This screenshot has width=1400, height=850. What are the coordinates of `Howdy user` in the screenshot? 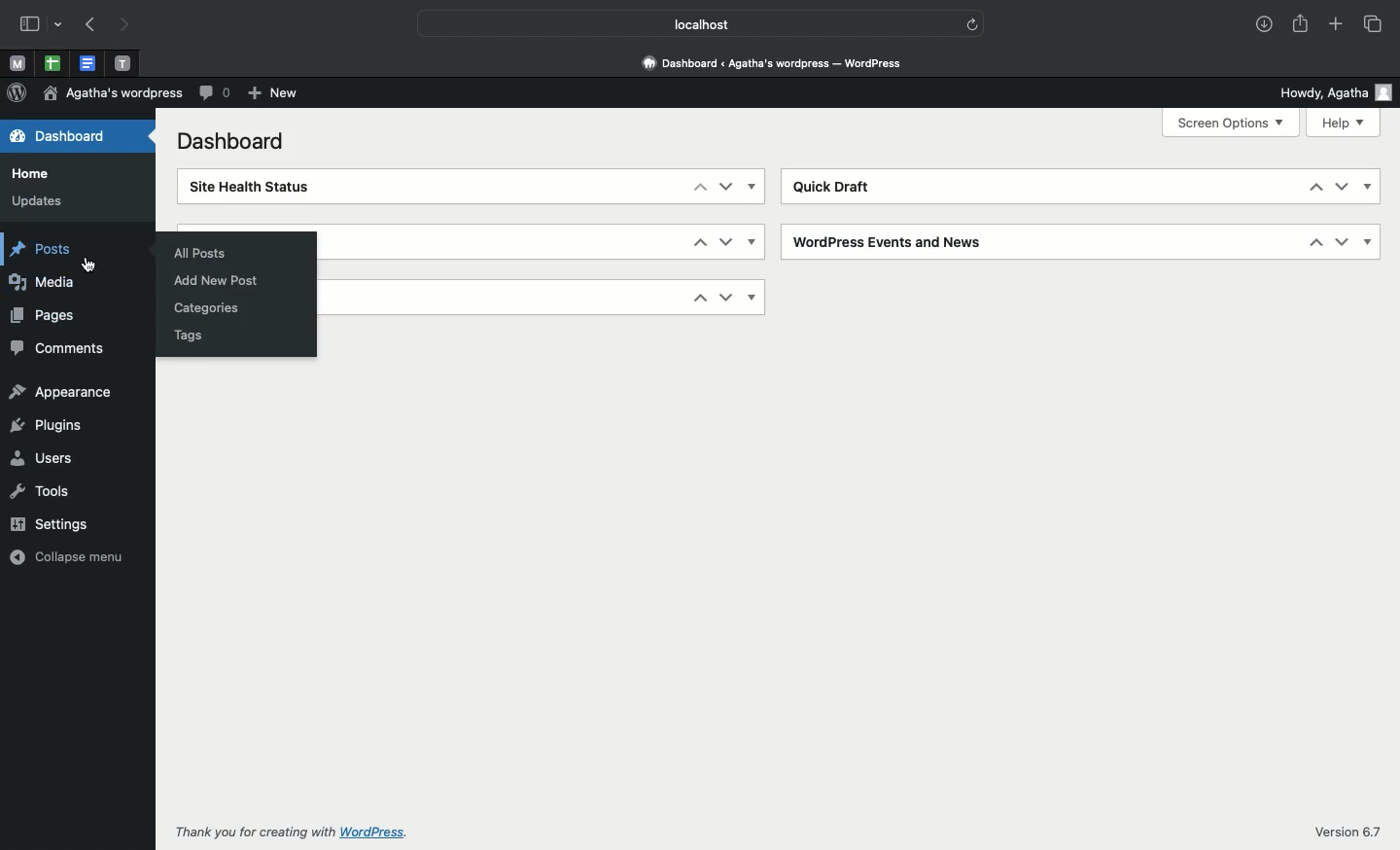 It's located at (1337, 93).